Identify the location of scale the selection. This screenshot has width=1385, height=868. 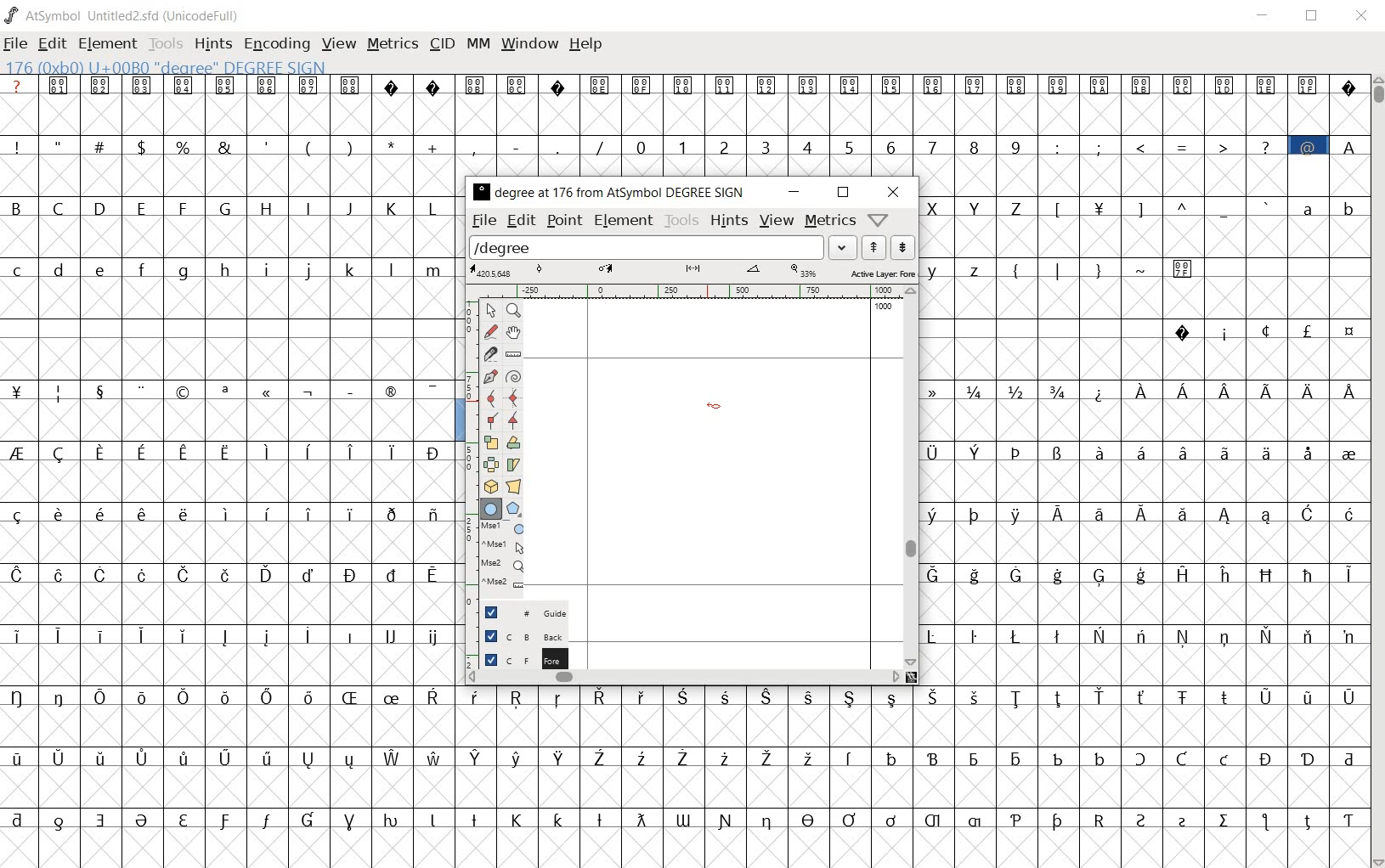
(489, 442).